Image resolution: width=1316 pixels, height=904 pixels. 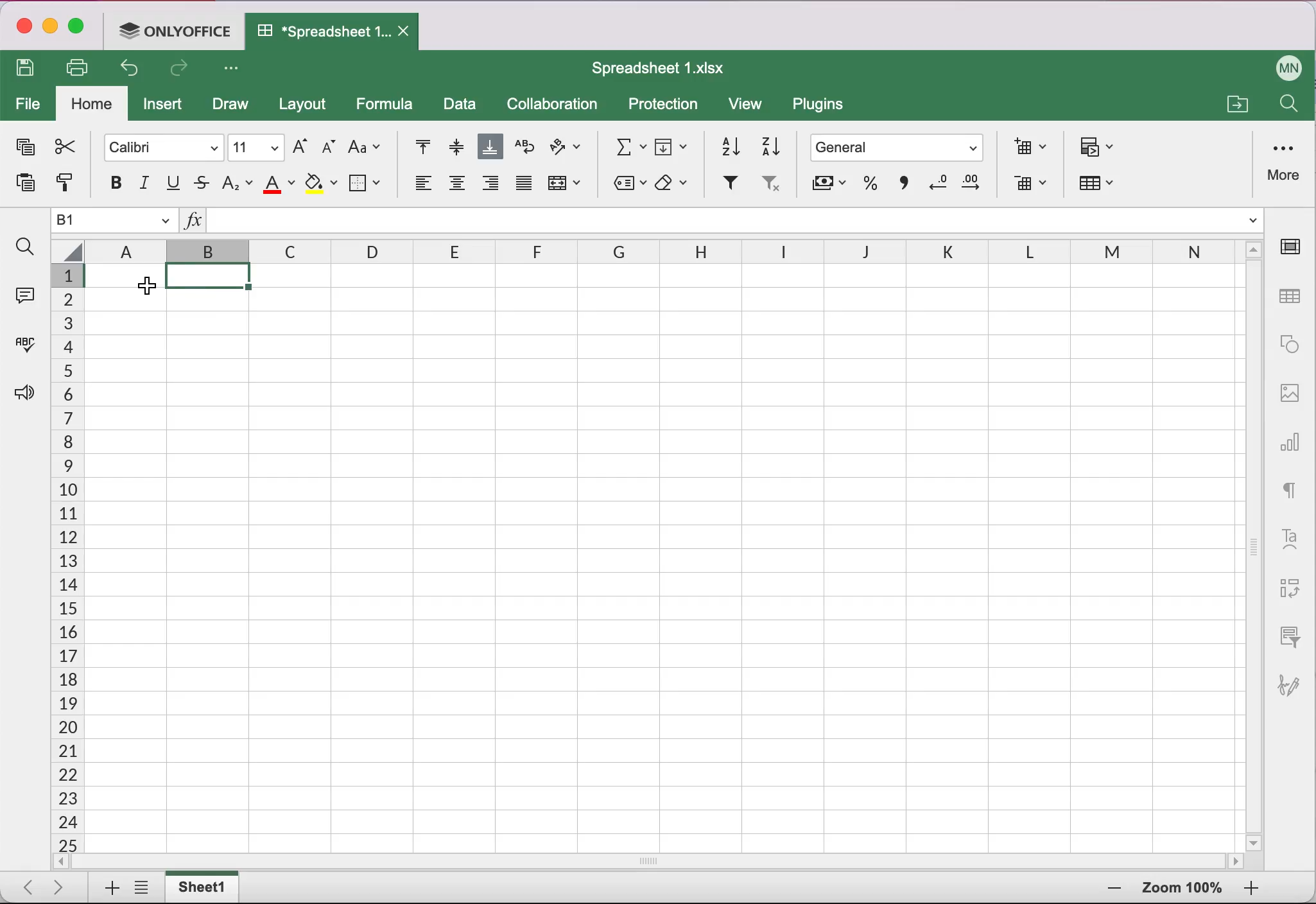 What do you see at coordinates (50, 28) in the screenshot?
I see `minimize` at bounding box center [50, 28].